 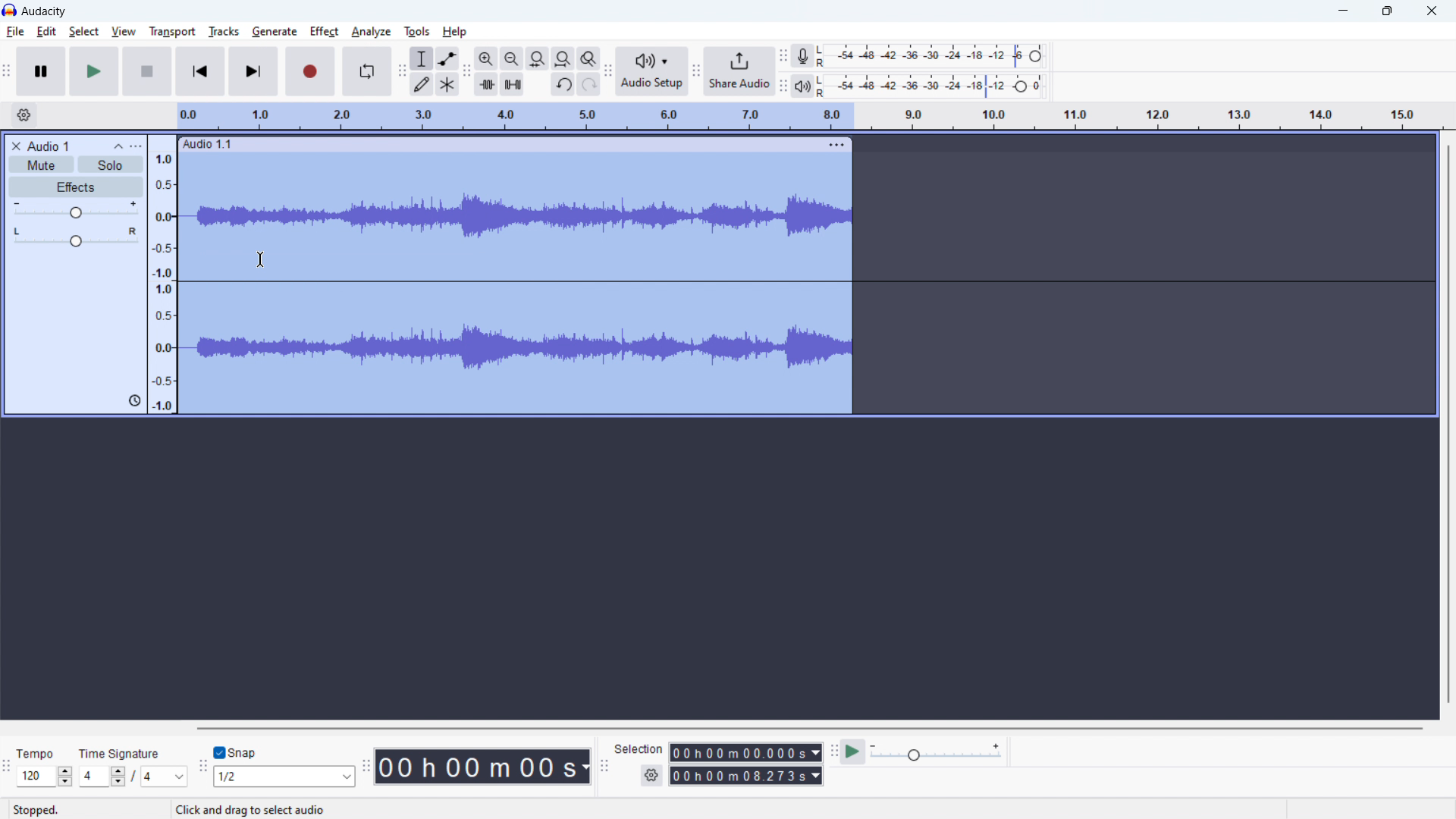 What do you see at coordinates (122, 755) in the screenshot?
I see `TIme signature` at bounding box center [122, 755].